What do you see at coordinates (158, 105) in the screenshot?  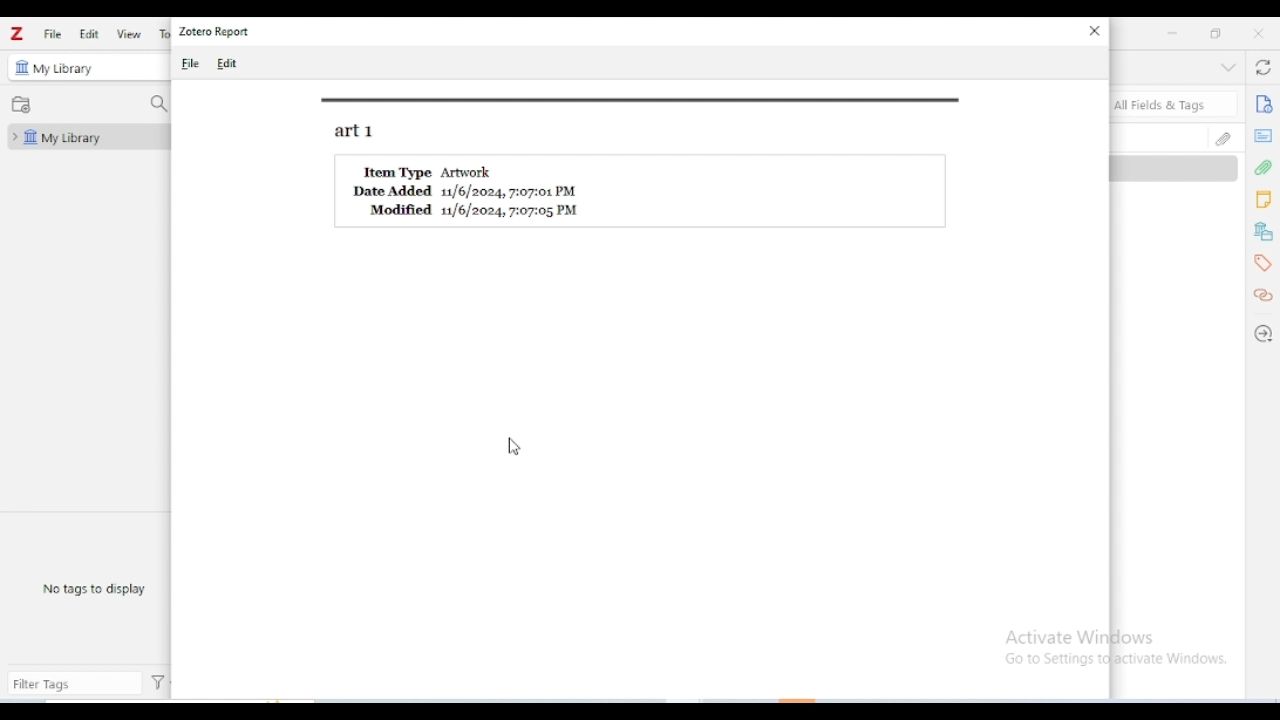 I see `filter collections` at bounding box center [158, 105].